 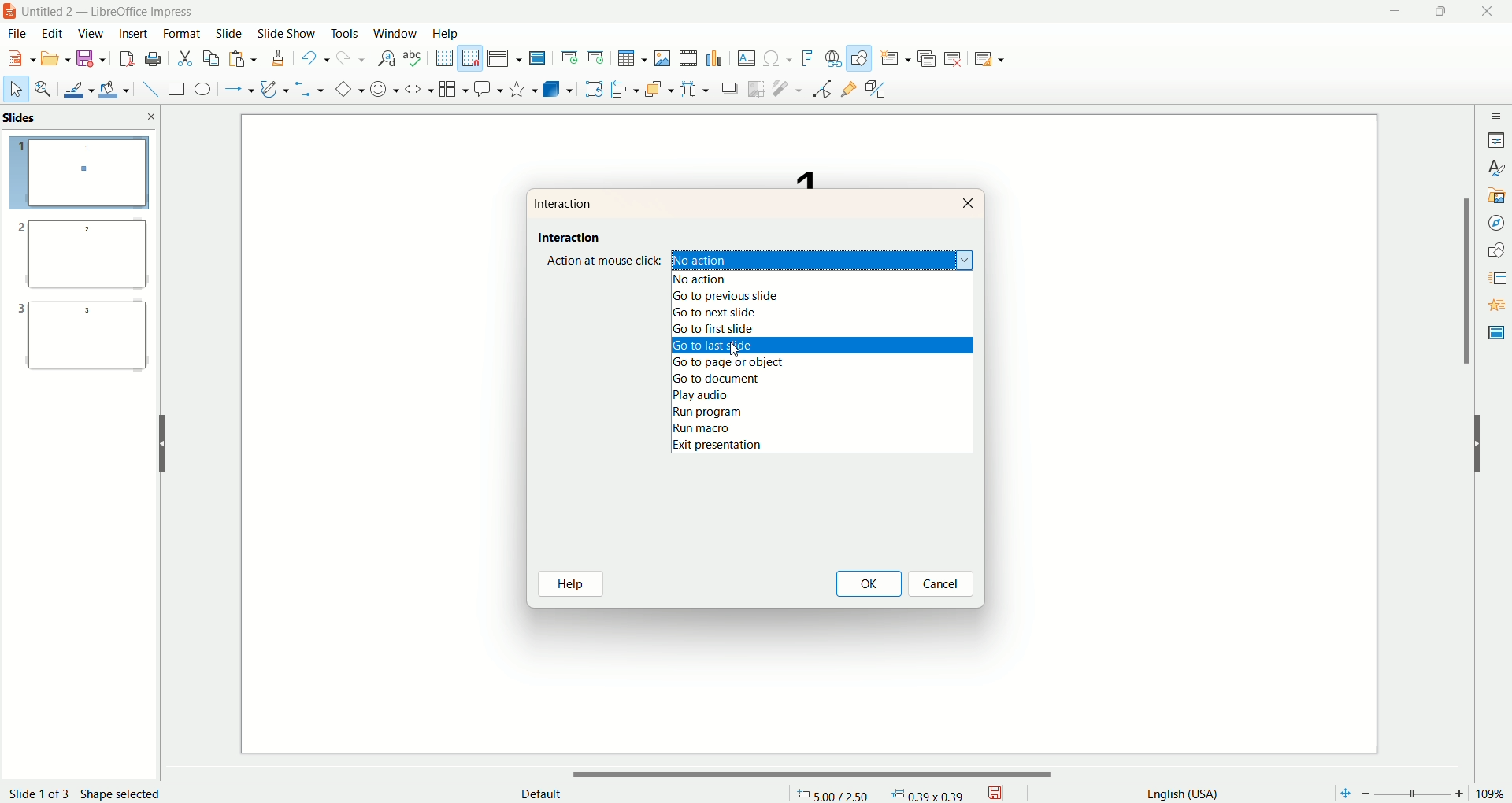 What do you see at coordinates (57, 60) in the screenshot?
I see `open` at bounding box center [57, 60].